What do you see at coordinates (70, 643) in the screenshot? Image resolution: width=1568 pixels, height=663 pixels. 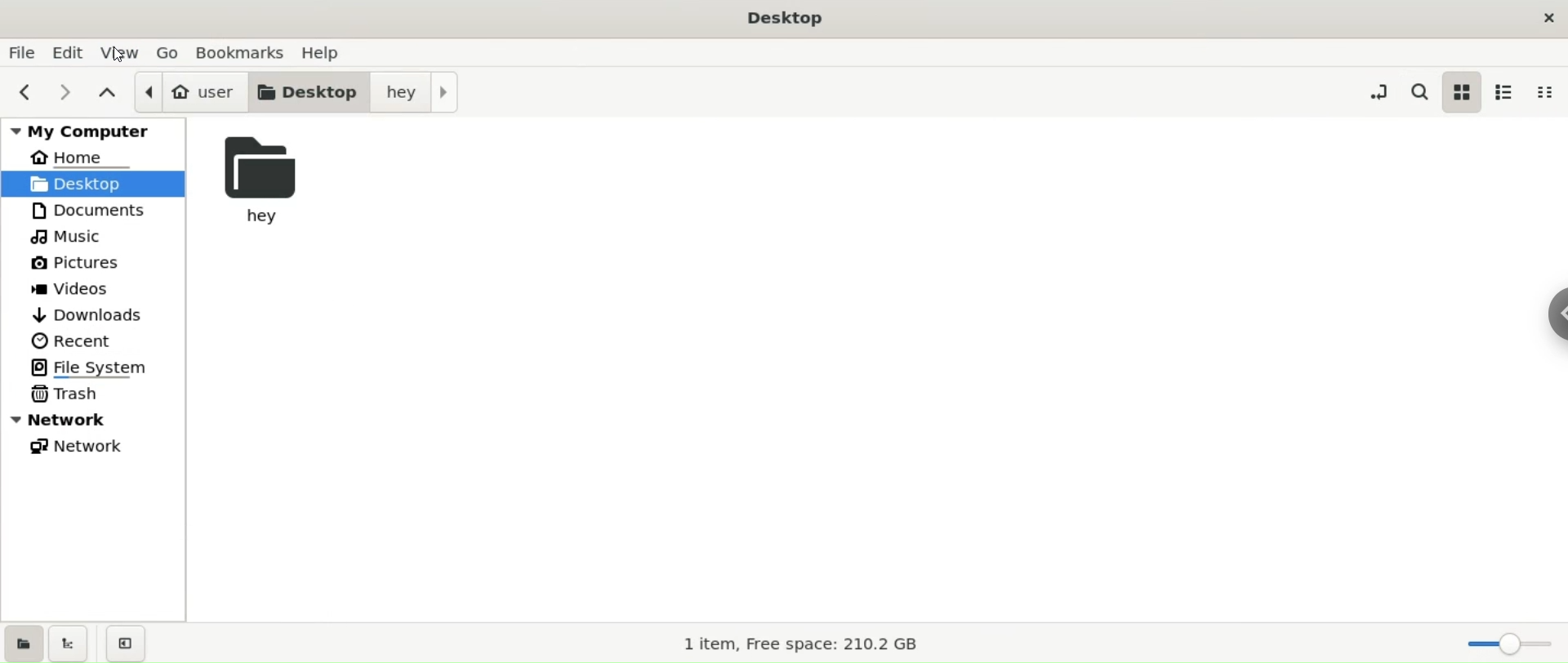 I see `show treeview` at bounding box center [70, 643].